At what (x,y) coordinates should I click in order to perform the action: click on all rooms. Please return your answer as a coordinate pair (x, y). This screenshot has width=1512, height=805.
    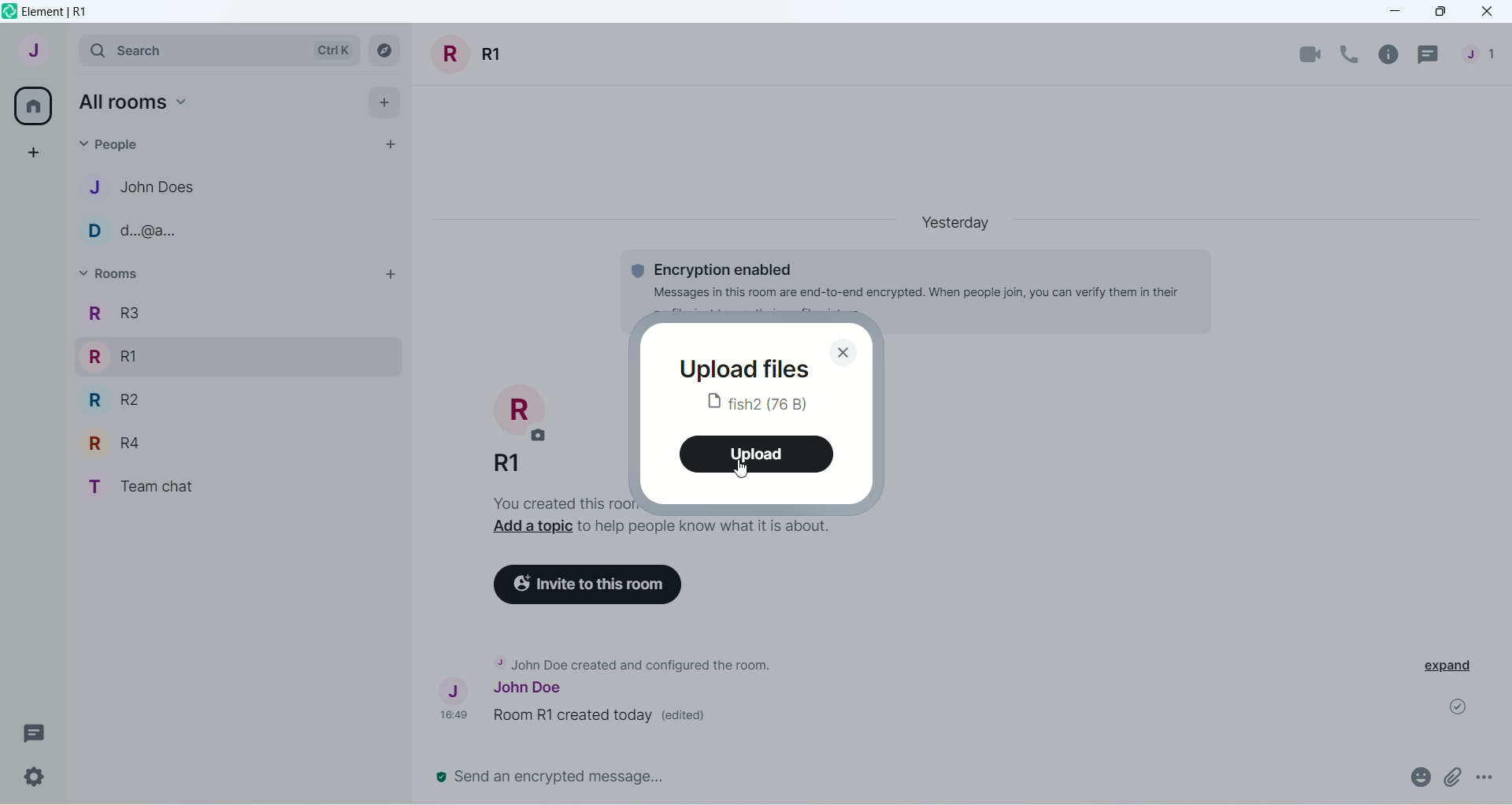
    Looking at the image, I should click on (34, 107).